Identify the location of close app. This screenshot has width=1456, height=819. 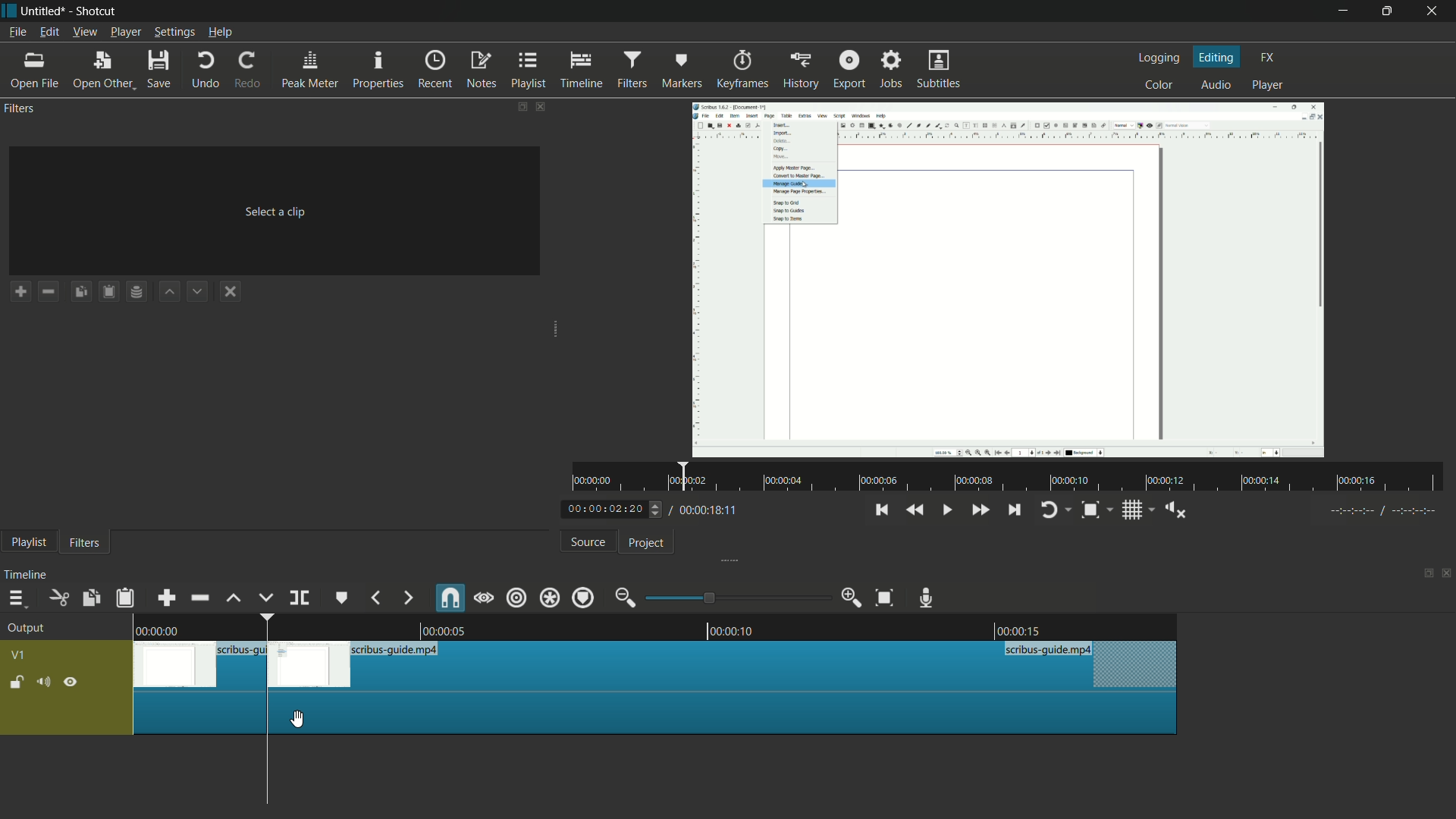
(1436, 11).